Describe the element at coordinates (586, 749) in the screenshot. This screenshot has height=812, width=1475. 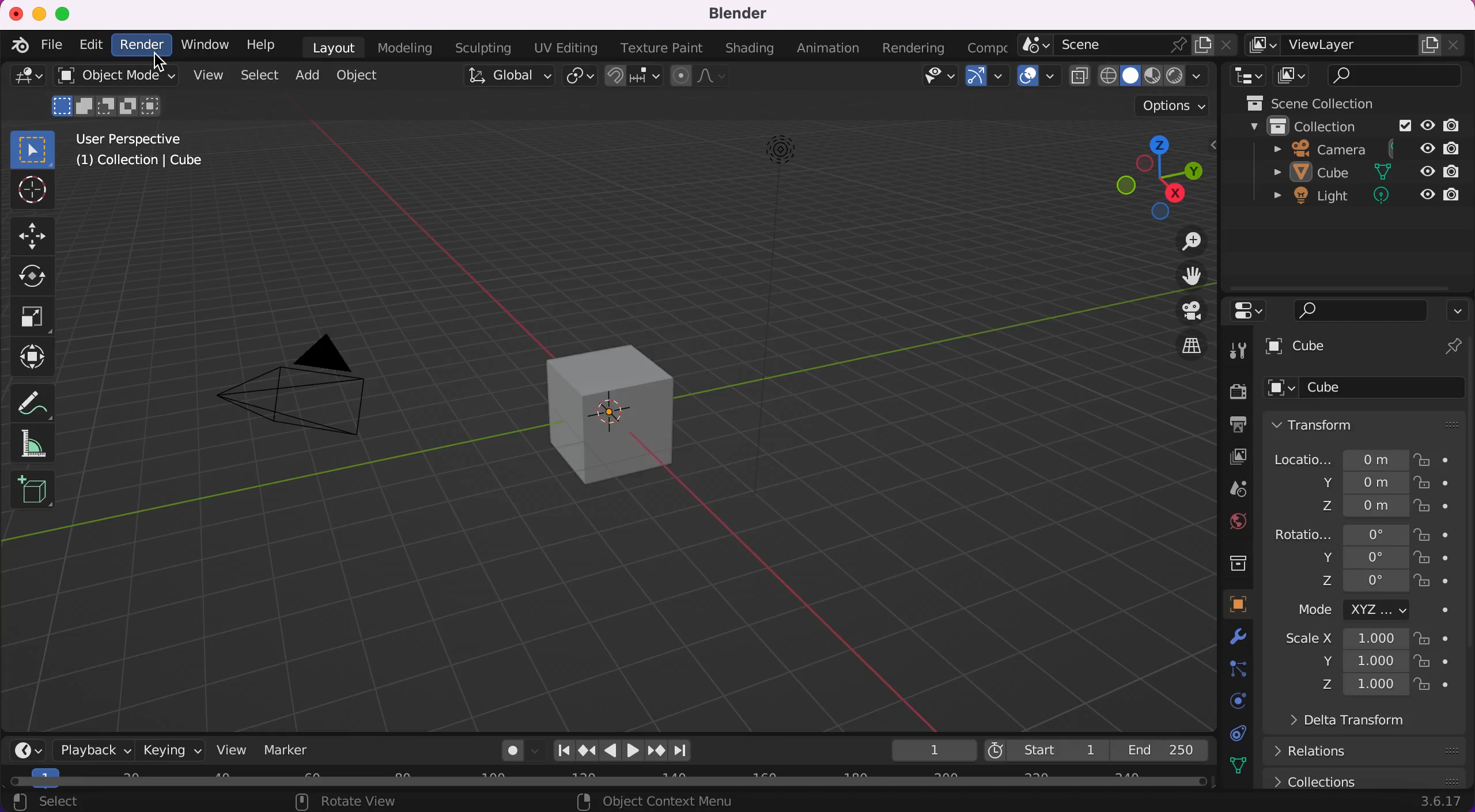
I see `jump to keyframe` at that location.